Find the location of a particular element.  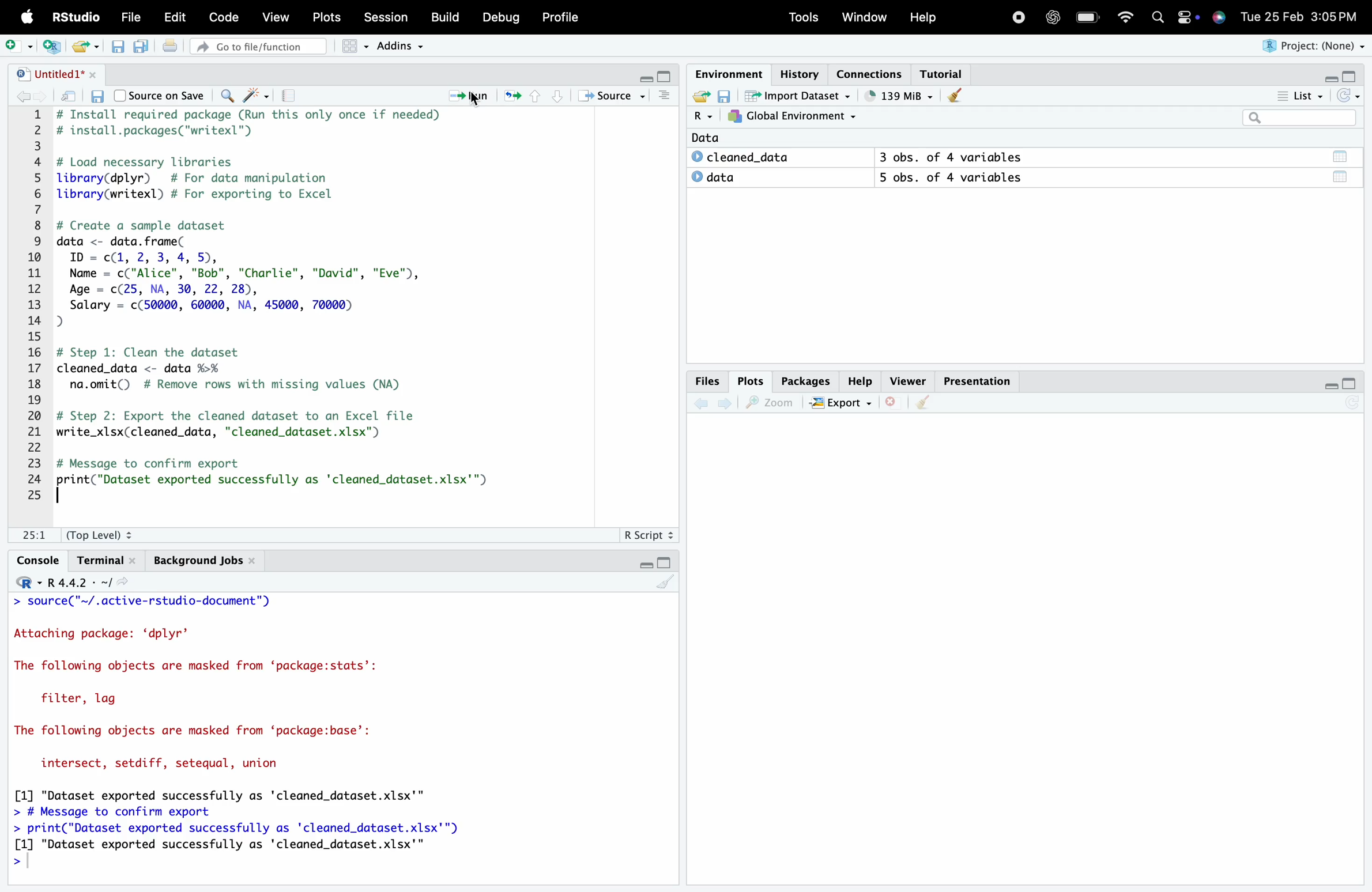

Posts is located at coordinates (328, 18).